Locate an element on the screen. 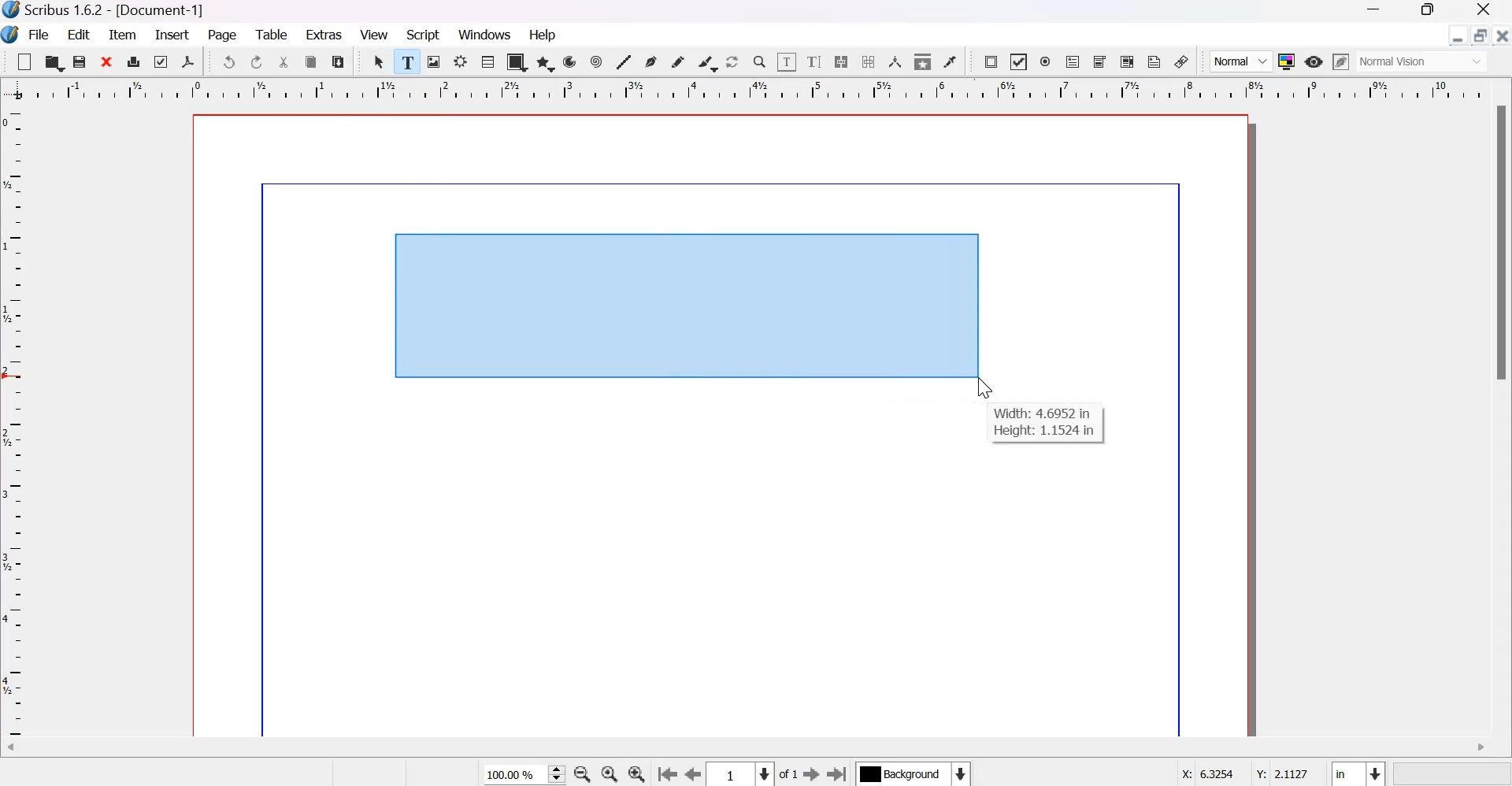  PDF list box is located at coordinates (1128, 61).